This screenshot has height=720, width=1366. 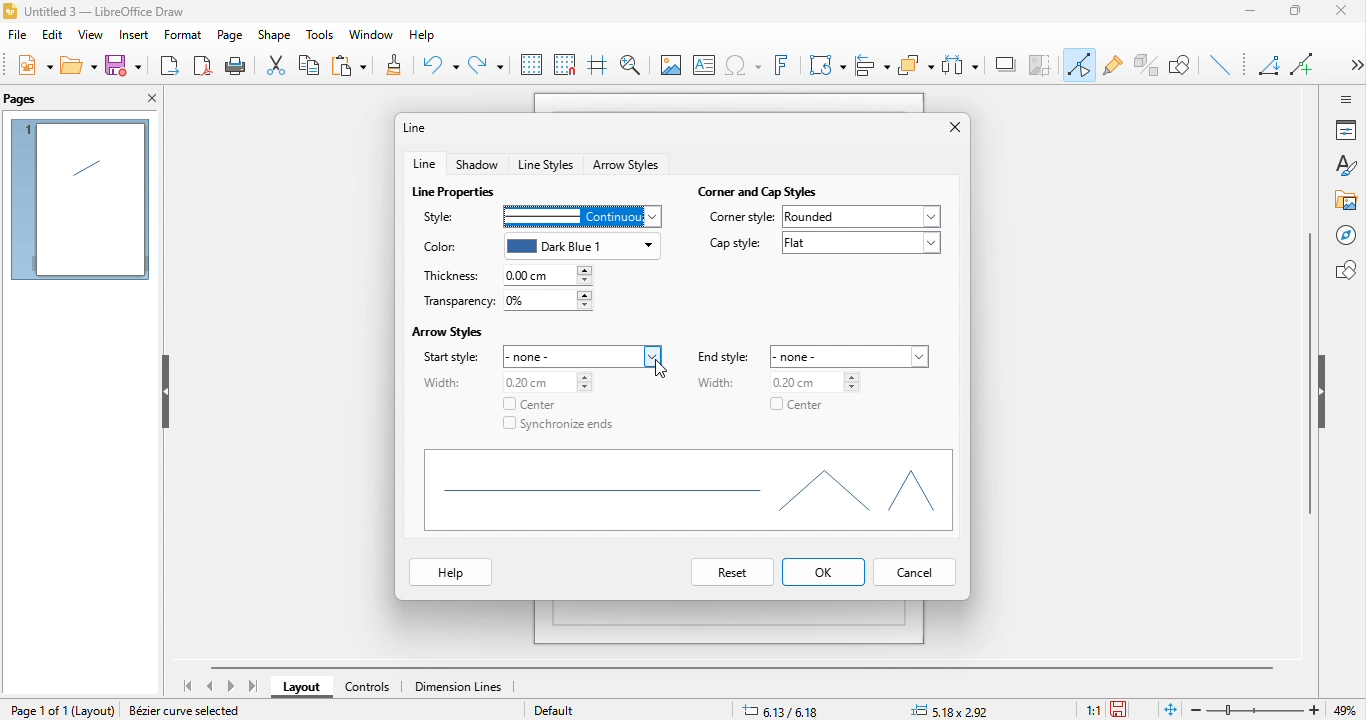 What do you see at coordinates (53, 38) in the screenshot?
I see `edit` at bounding box center [53, 38].